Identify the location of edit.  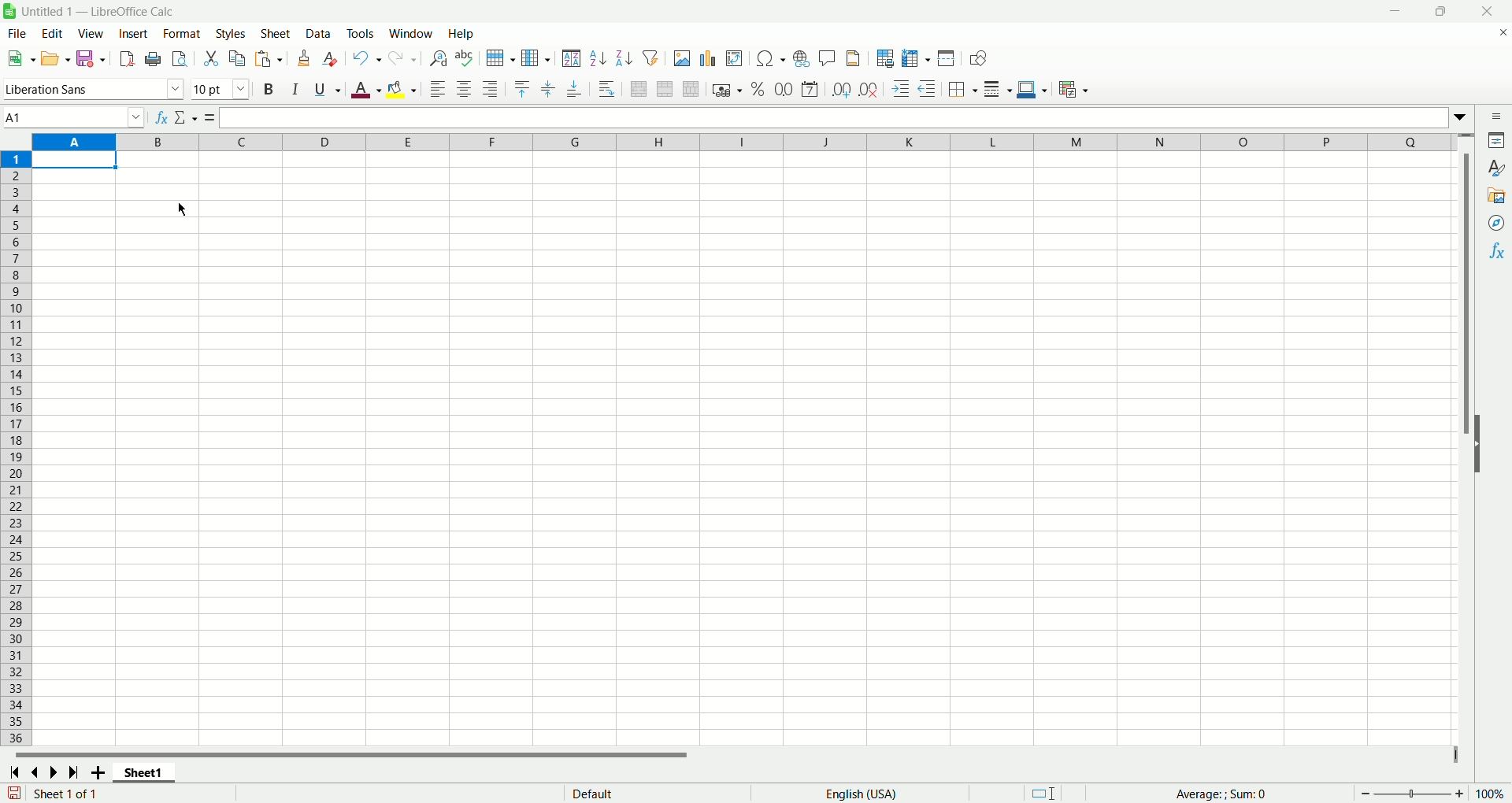
(50, 34).